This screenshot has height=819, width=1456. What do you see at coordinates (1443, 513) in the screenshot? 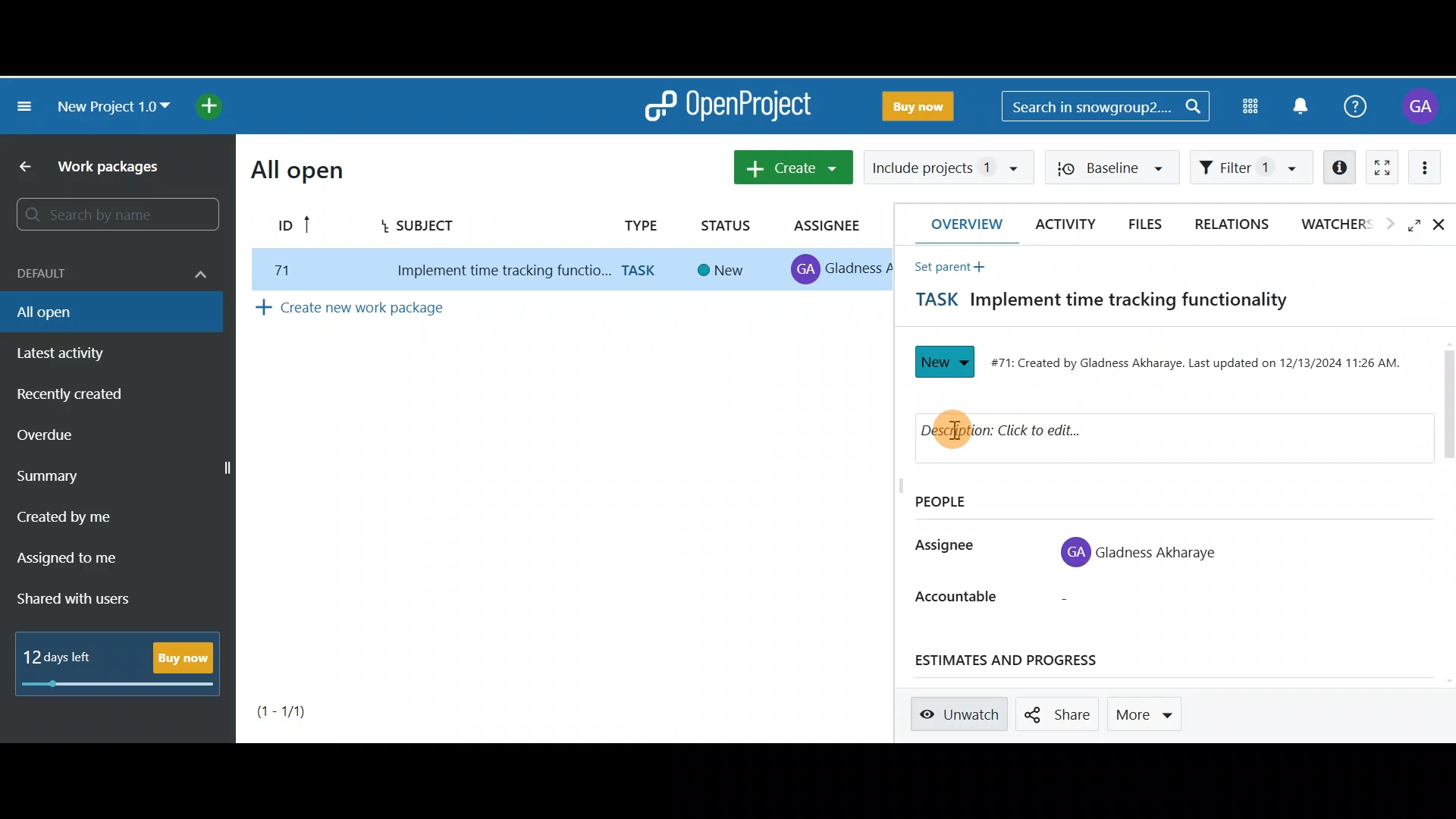
I see `Scroll bar` at bounding box center [1443, 513].